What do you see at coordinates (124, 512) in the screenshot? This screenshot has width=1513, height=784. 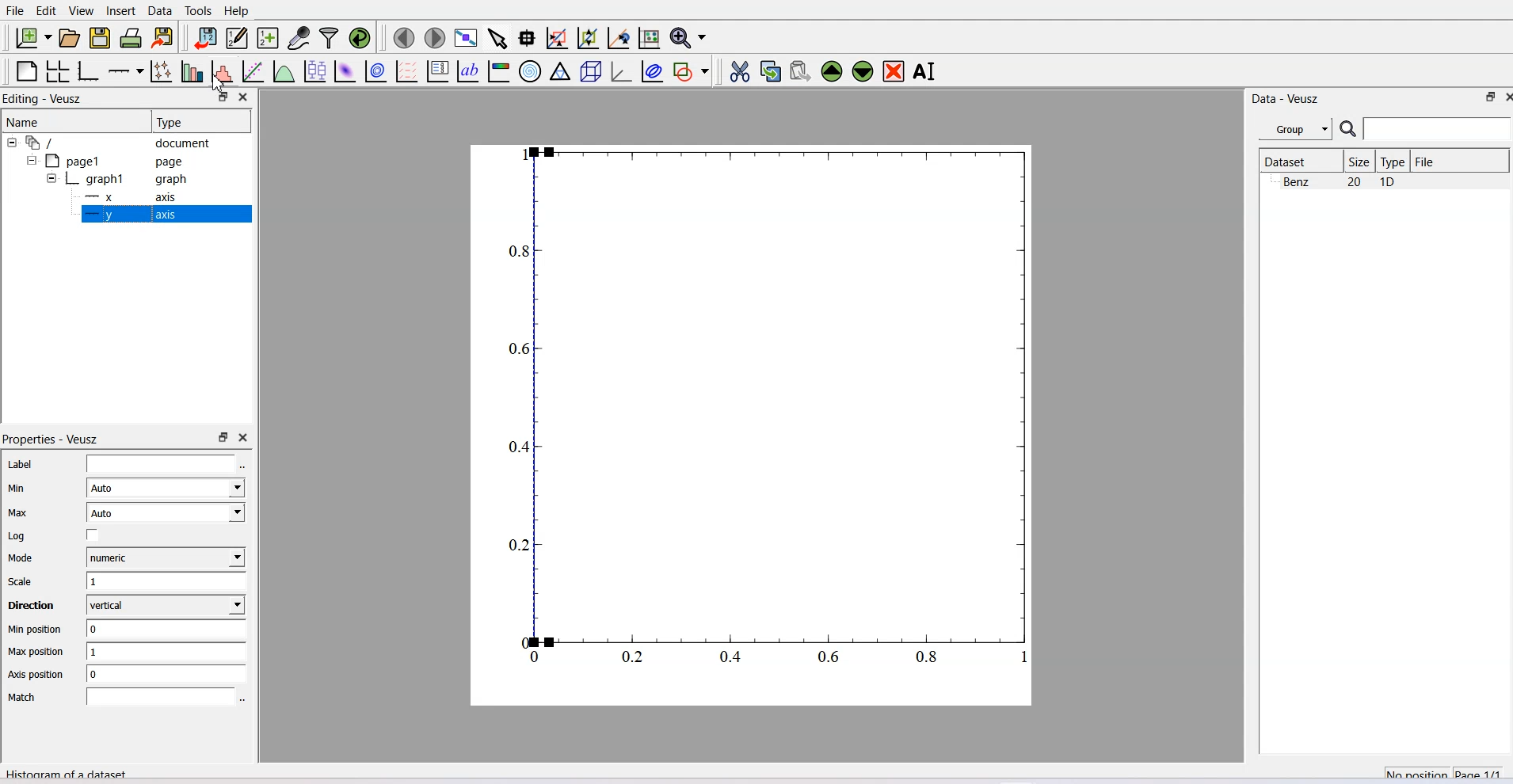 I see `Max` at bounding box center [124, 512].